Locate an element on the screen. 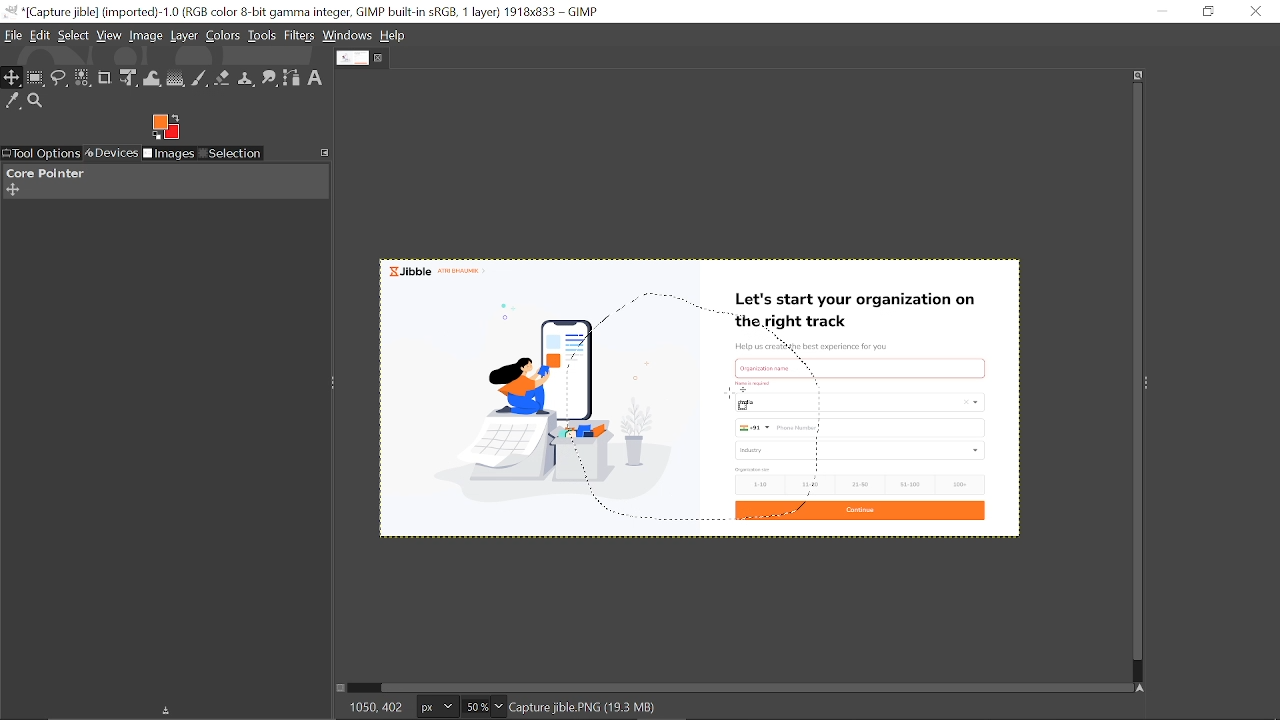 The image size is (1280, 720). industry is located at coordinates (862, 450).